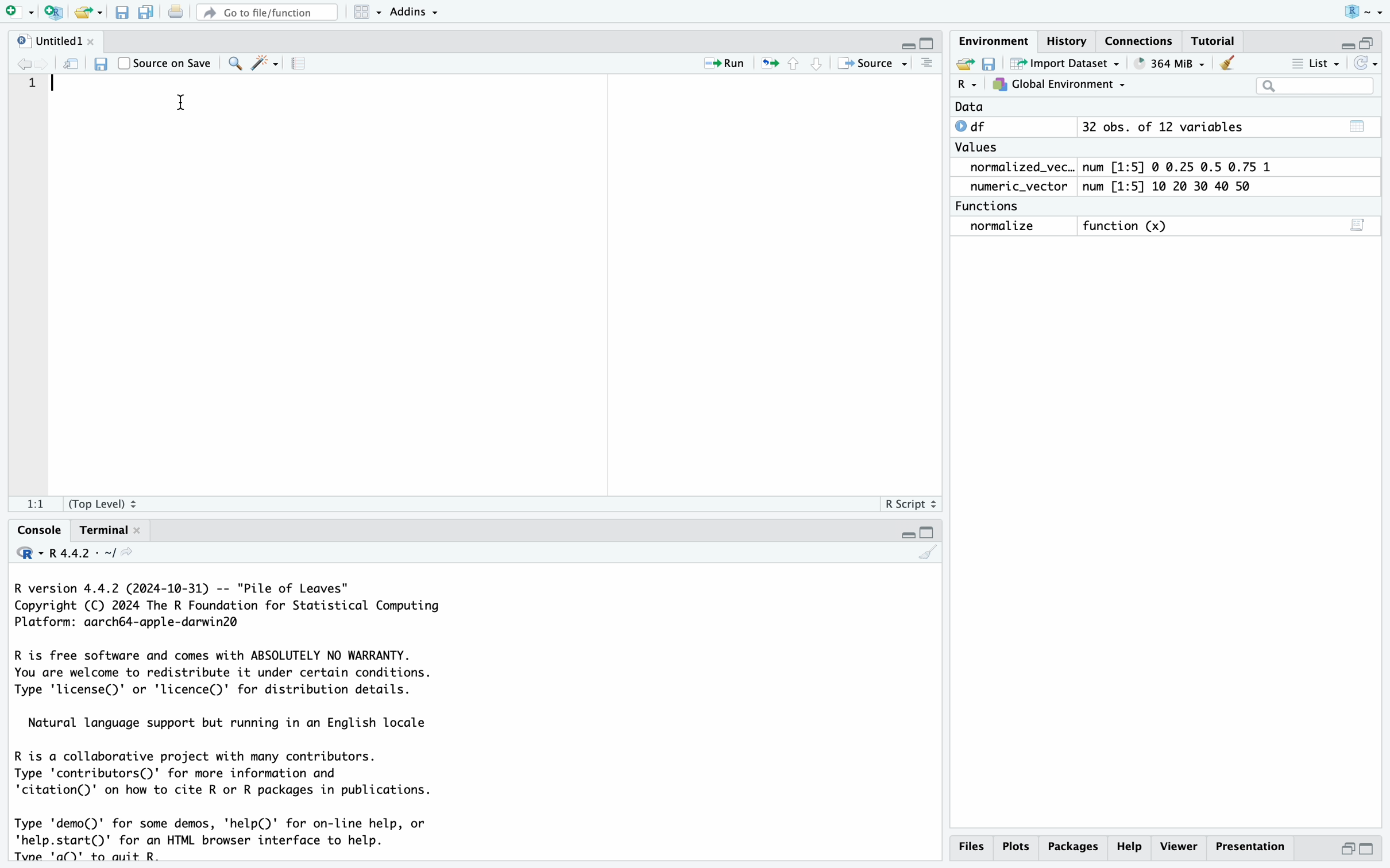 This screenshot has height=868, width=1390. What do you see at coordinates (34, 506) in the screenshot?
I see `1:1` at bounding box center [34, 506].